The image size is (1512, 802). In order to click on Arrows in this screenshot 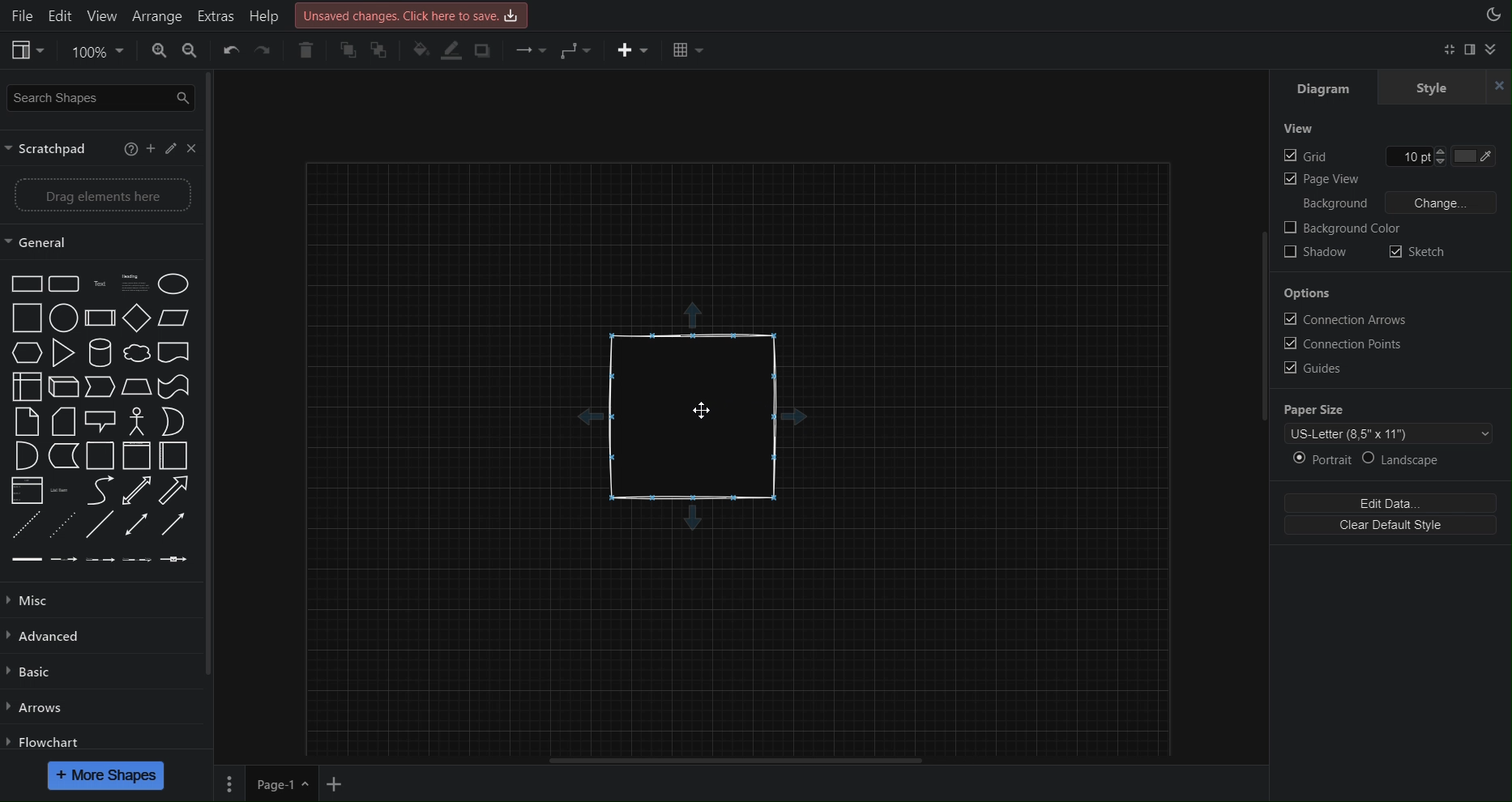, I will do `click(35, 708)`.